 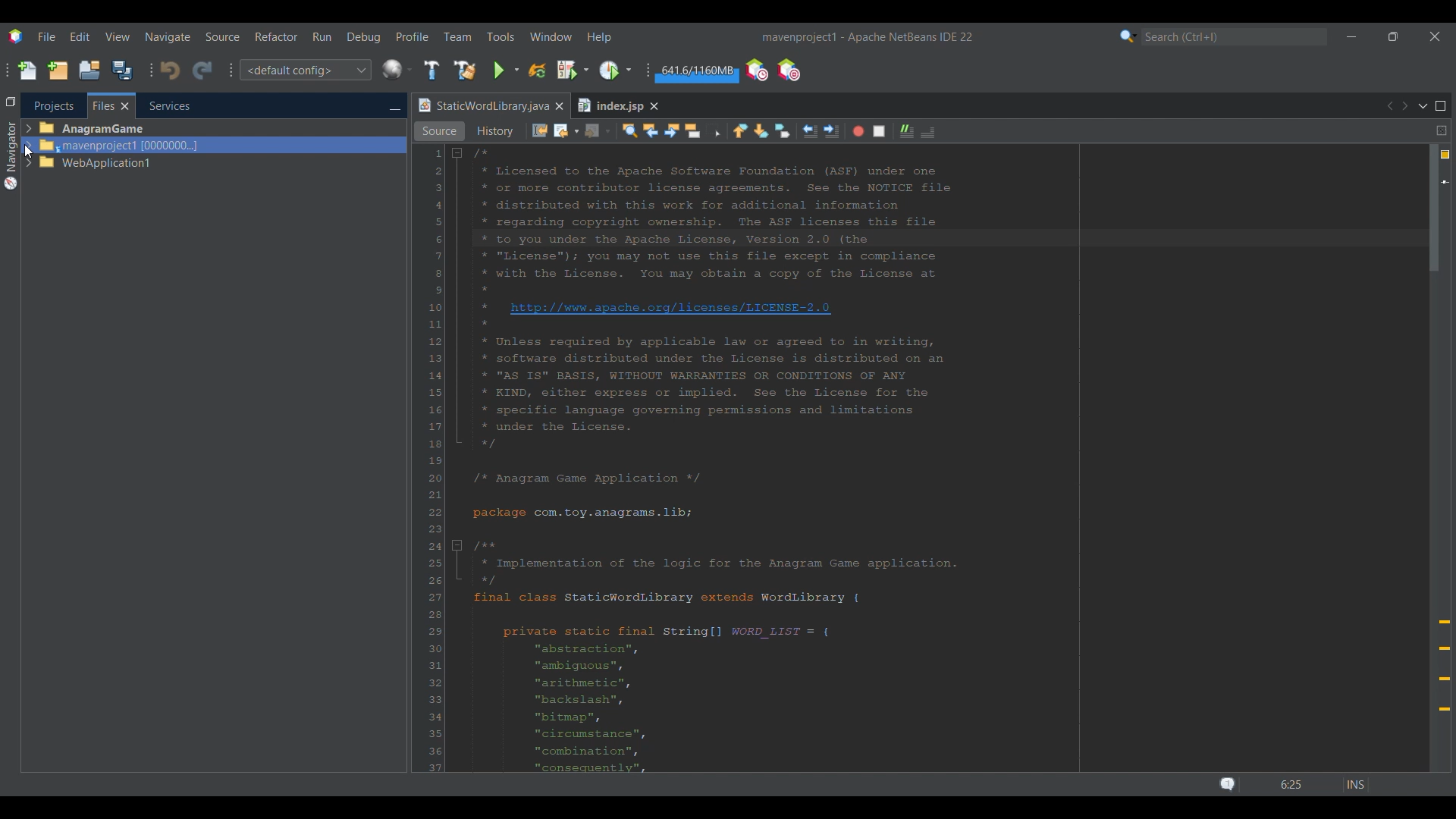 I want to click on Find next occurrence , so click(x=671, y=130).